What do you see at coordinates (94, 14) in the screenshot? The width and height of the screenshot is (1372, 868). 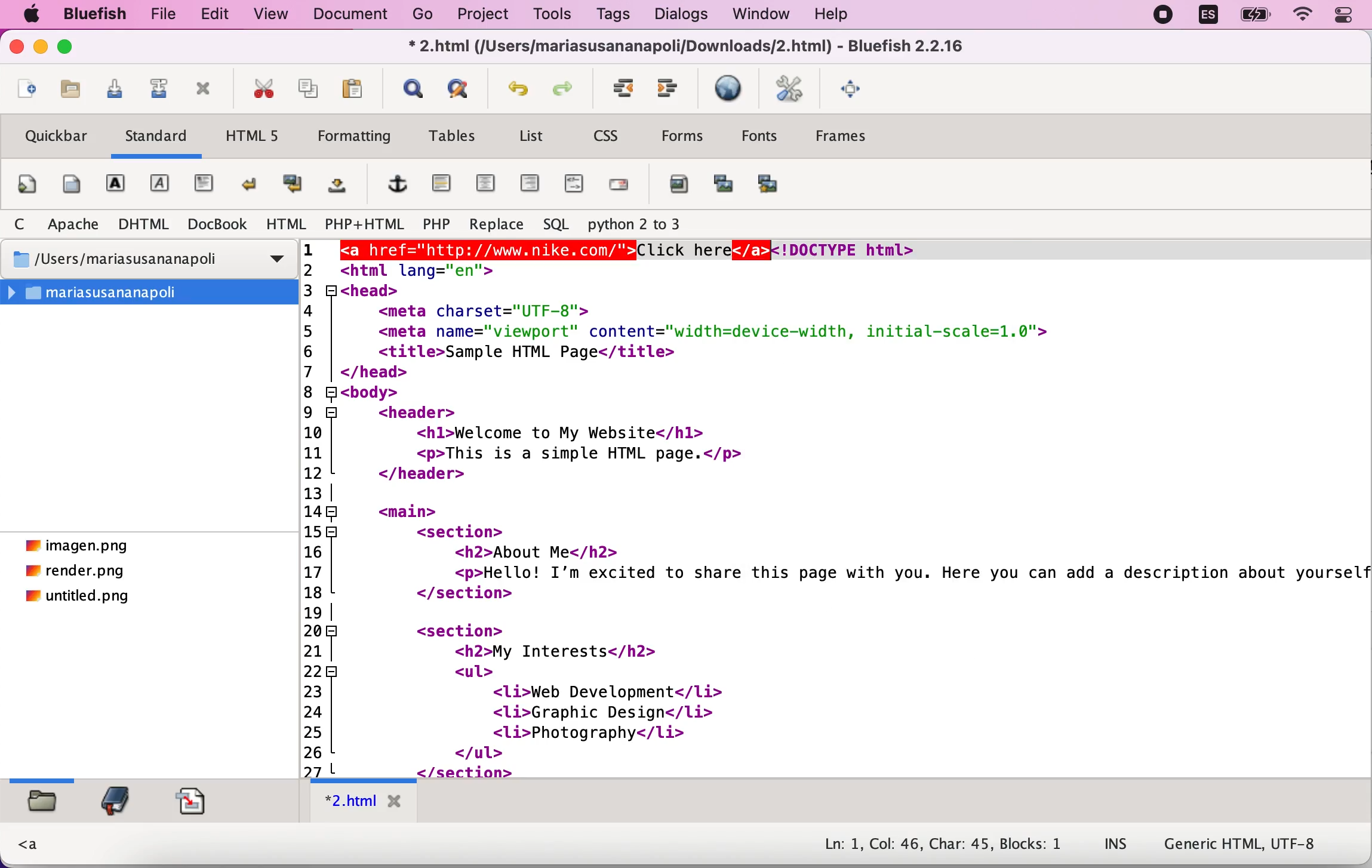 I see `bluefish` at bounding box center [94, 14].